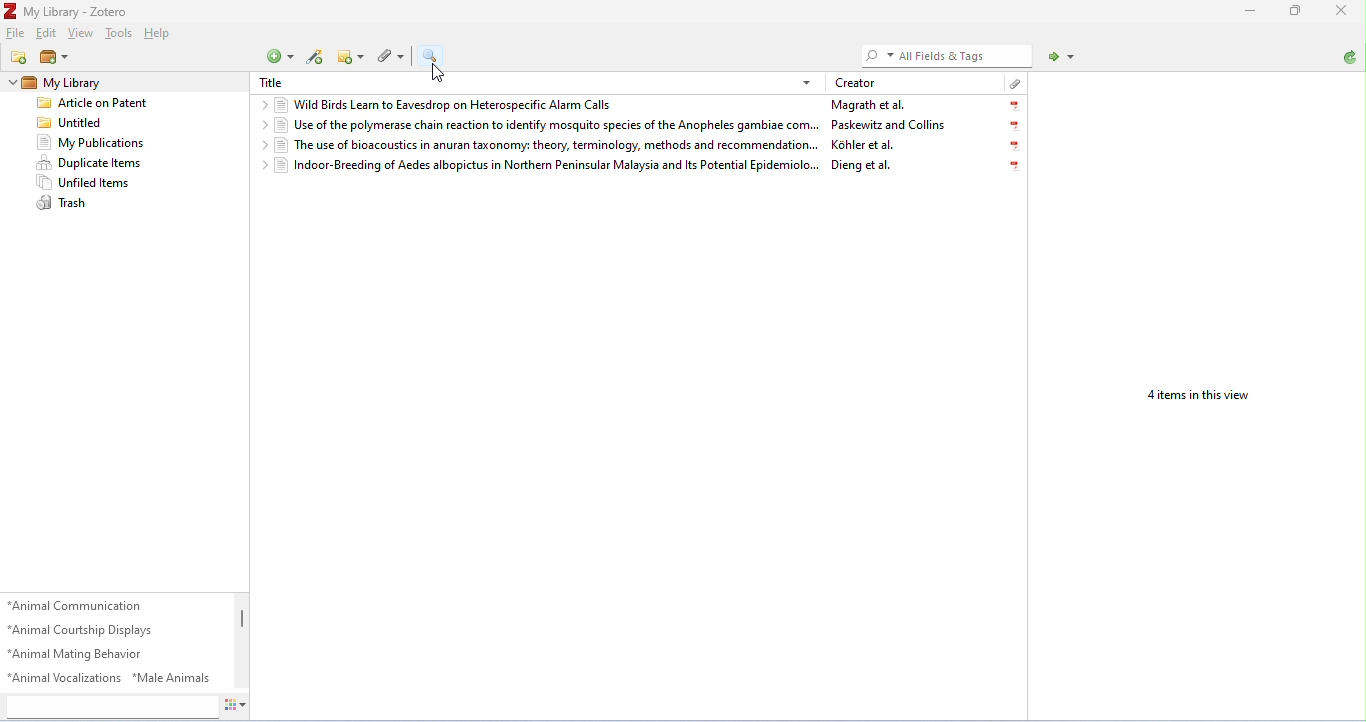 This screenshot has height=722, width=1366. Describe the element at coordinates (83, 182) in the screenshot. I see `unfiled items` at that location.